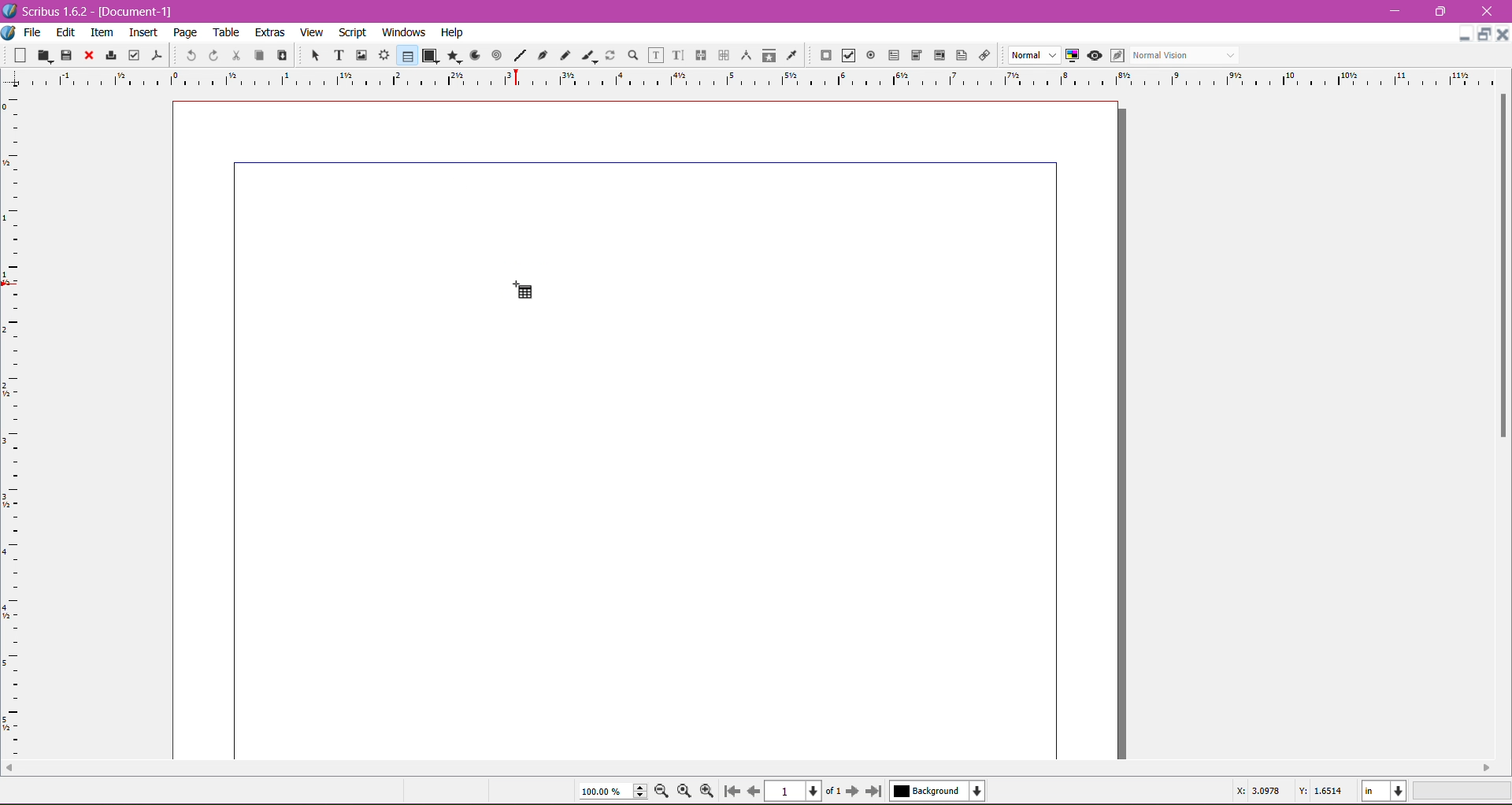  I want to click on Undo, so click(189, 54).